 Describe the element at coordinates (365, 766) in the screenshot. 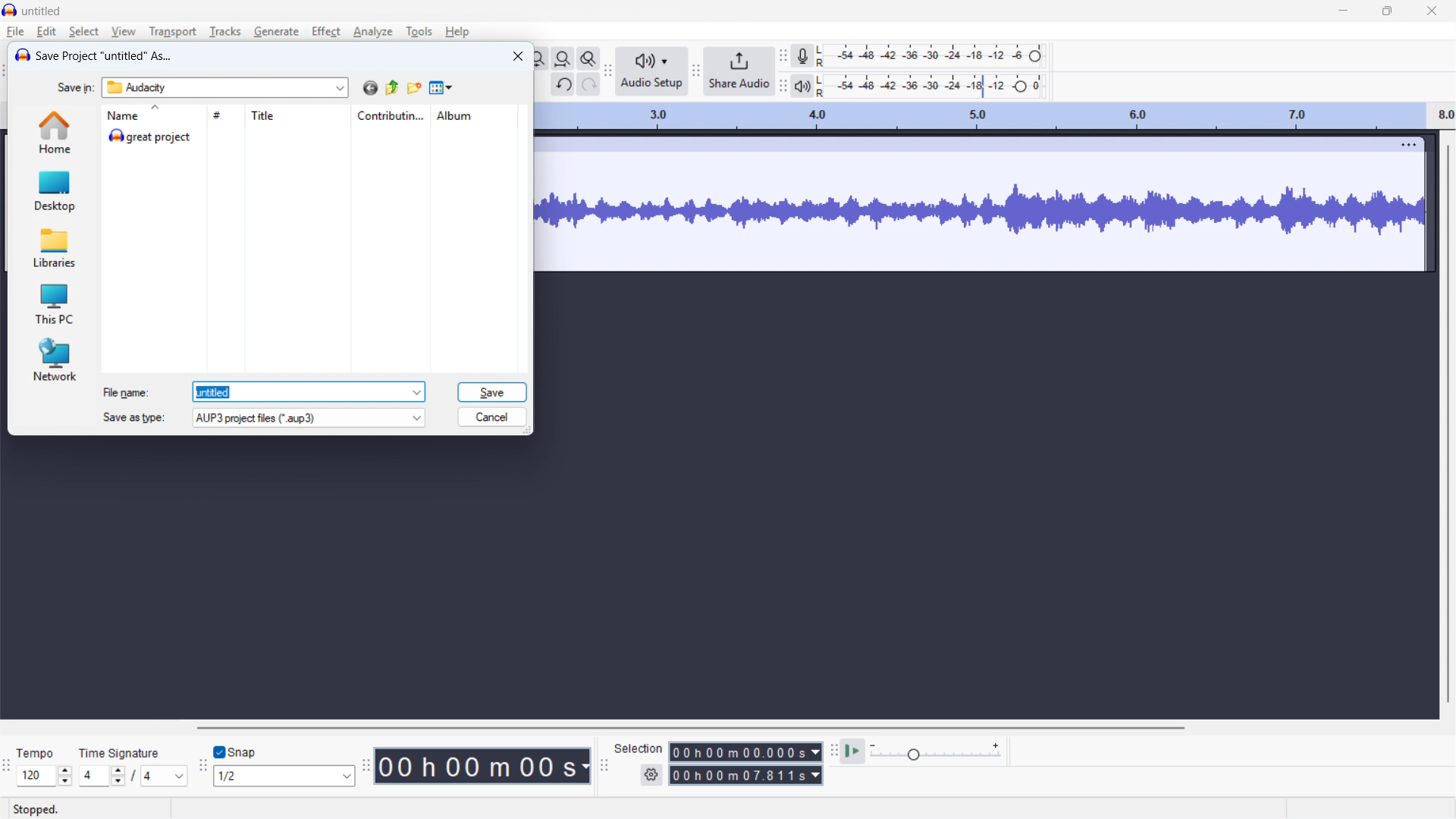

I see `time toolbar` at that location.